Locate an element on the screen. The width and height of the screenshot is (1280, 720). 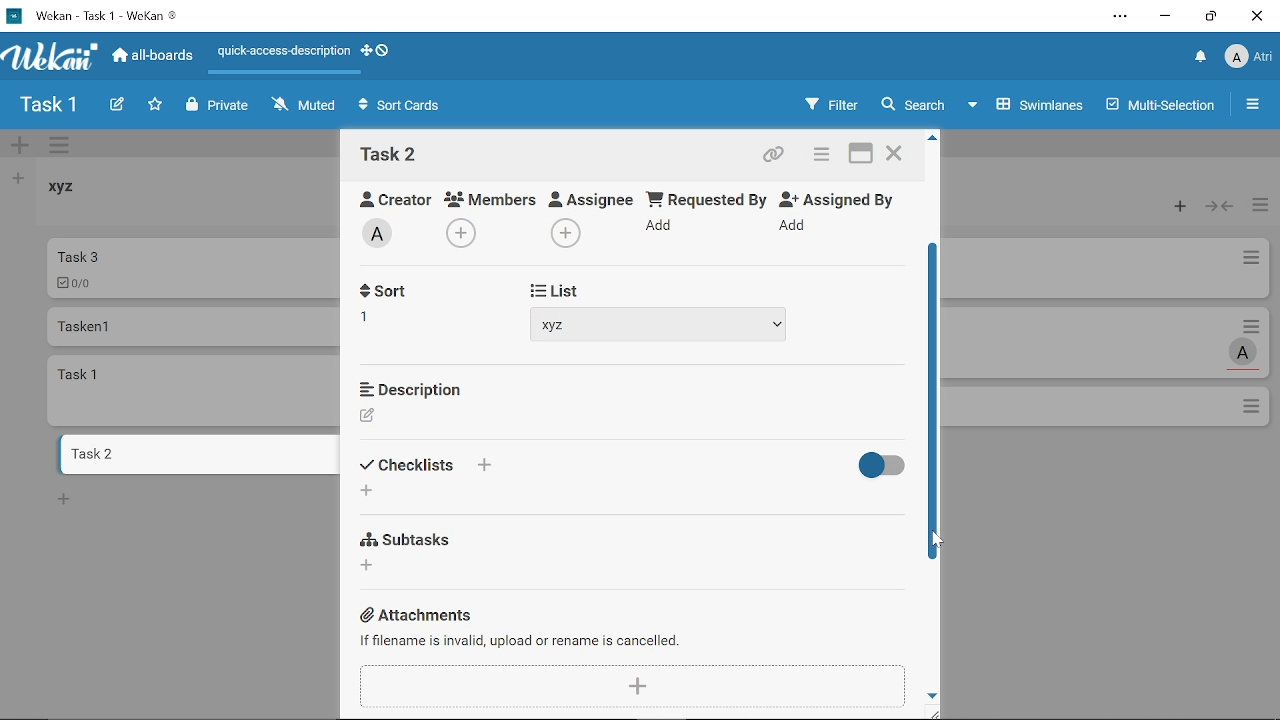
Members is located at coordinates (491, 198).